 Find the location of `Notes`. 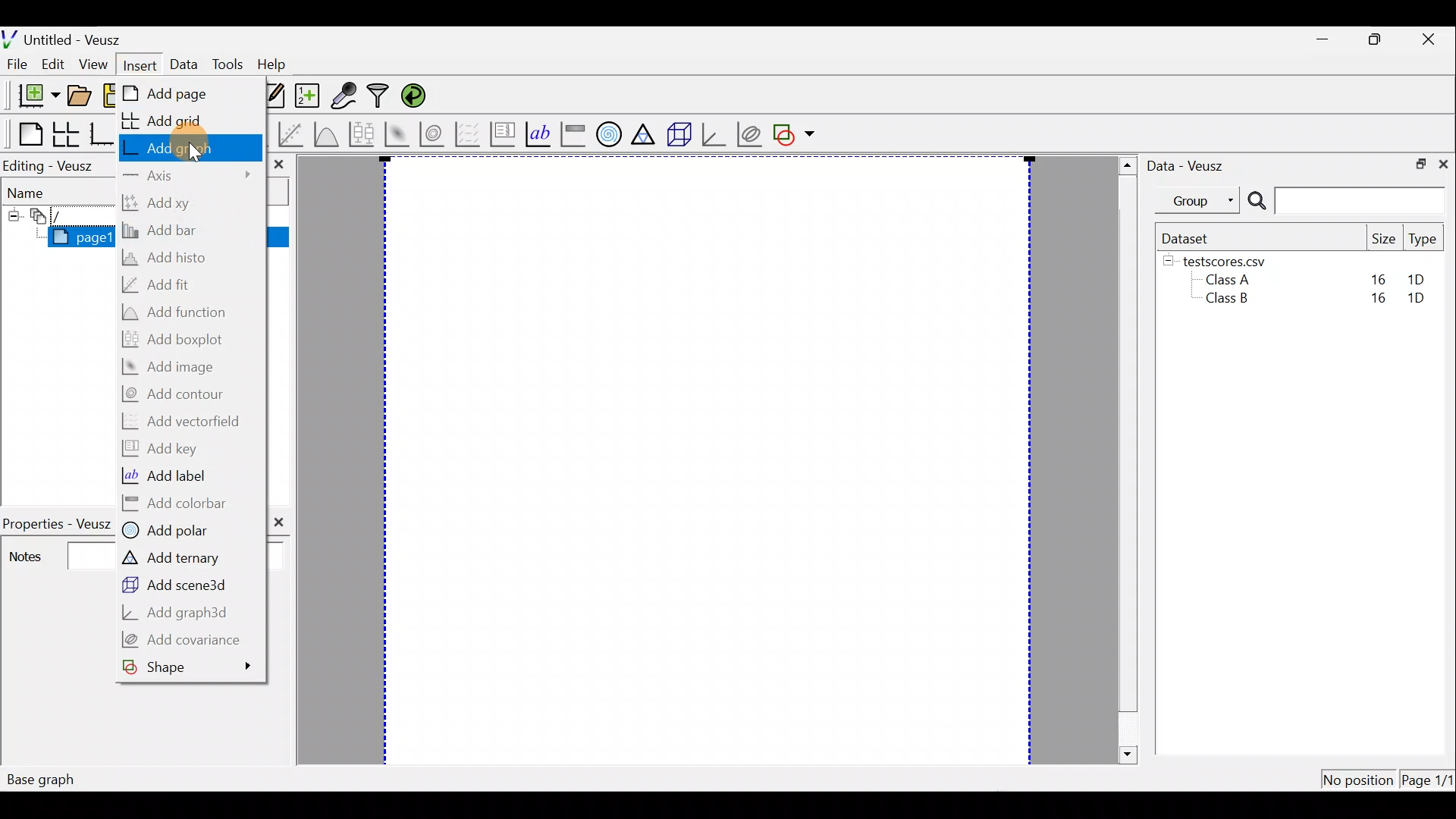

Notes is located at coordinates (51, 554).